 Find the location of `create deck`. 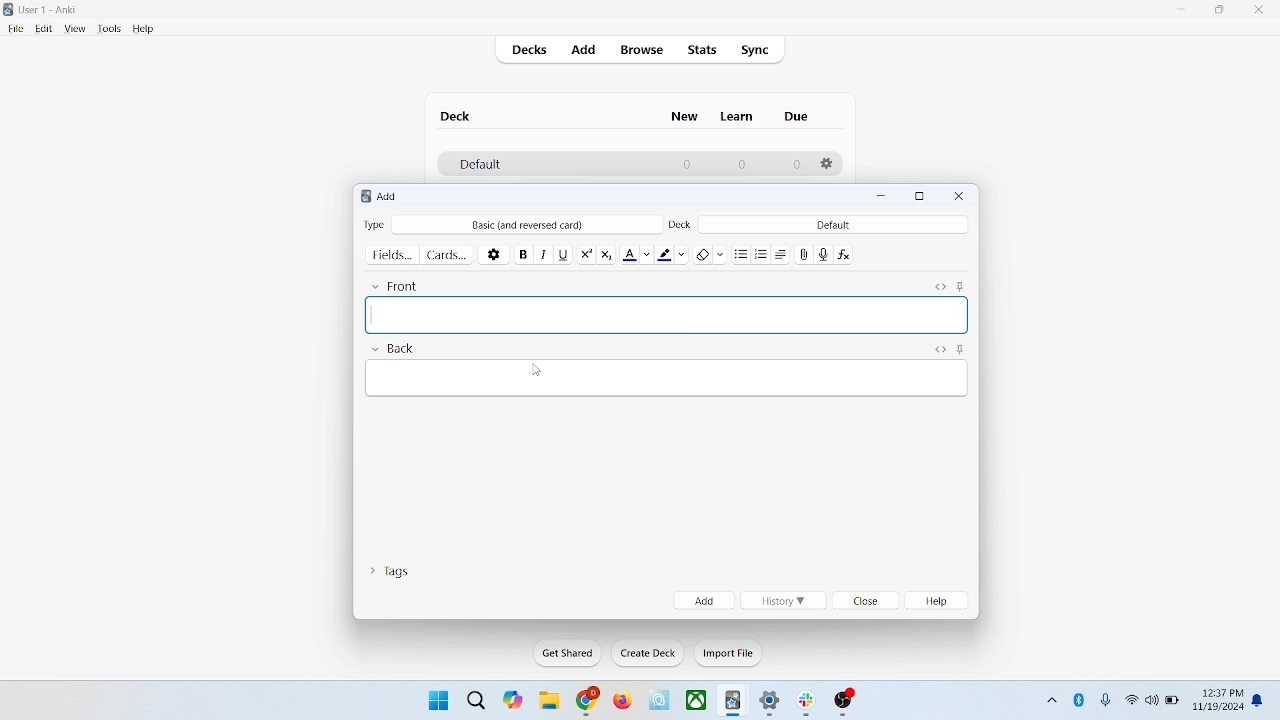

create deck is located at coordinates (649, 653).